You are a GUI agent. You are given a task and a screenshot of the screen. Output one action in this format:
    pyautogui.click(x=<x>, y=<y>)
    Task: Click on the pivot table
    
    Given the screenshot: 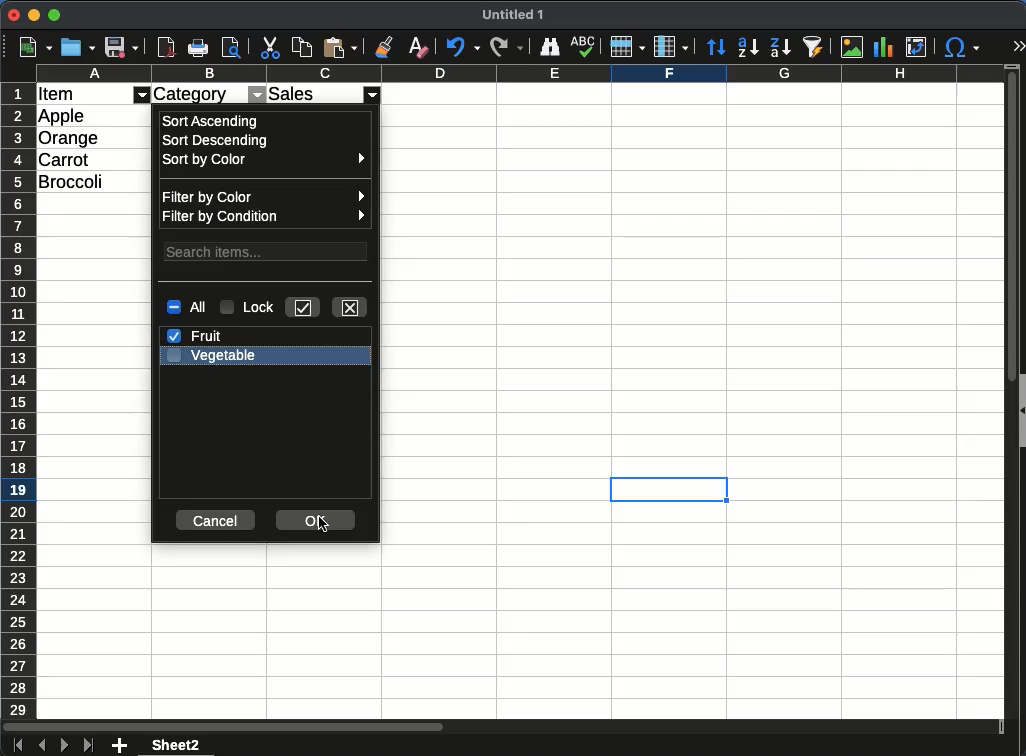 What is the action you would take?
    pyautogui.click(x=920, y=44)
    